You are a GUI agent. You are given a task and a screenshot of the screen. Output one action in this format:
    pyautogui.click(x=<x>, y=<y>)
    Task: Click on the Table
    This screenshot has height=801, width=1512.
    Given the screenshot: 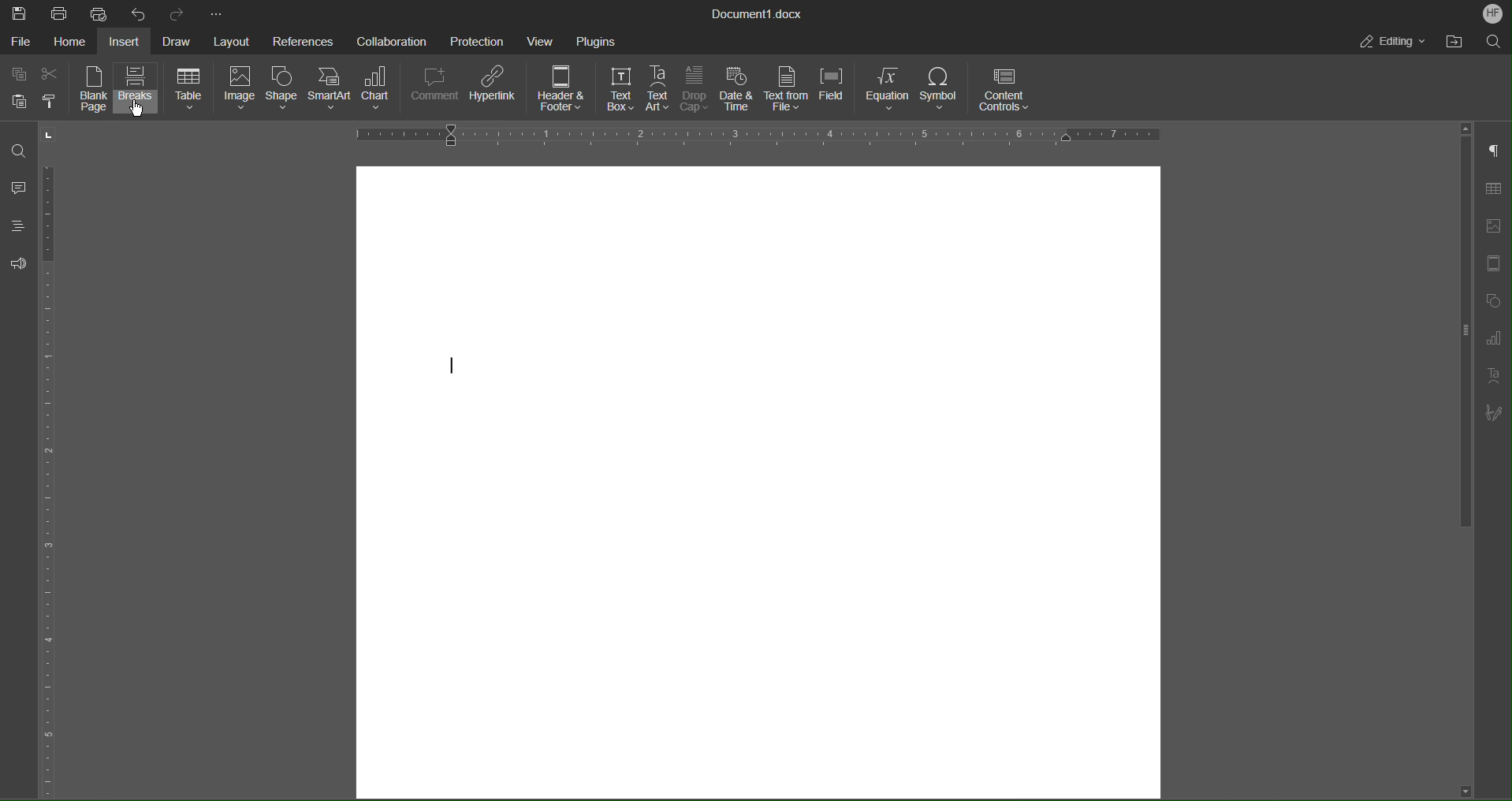 What is the action you would take?
    pyautogui.click(x=1492, y=190)
    